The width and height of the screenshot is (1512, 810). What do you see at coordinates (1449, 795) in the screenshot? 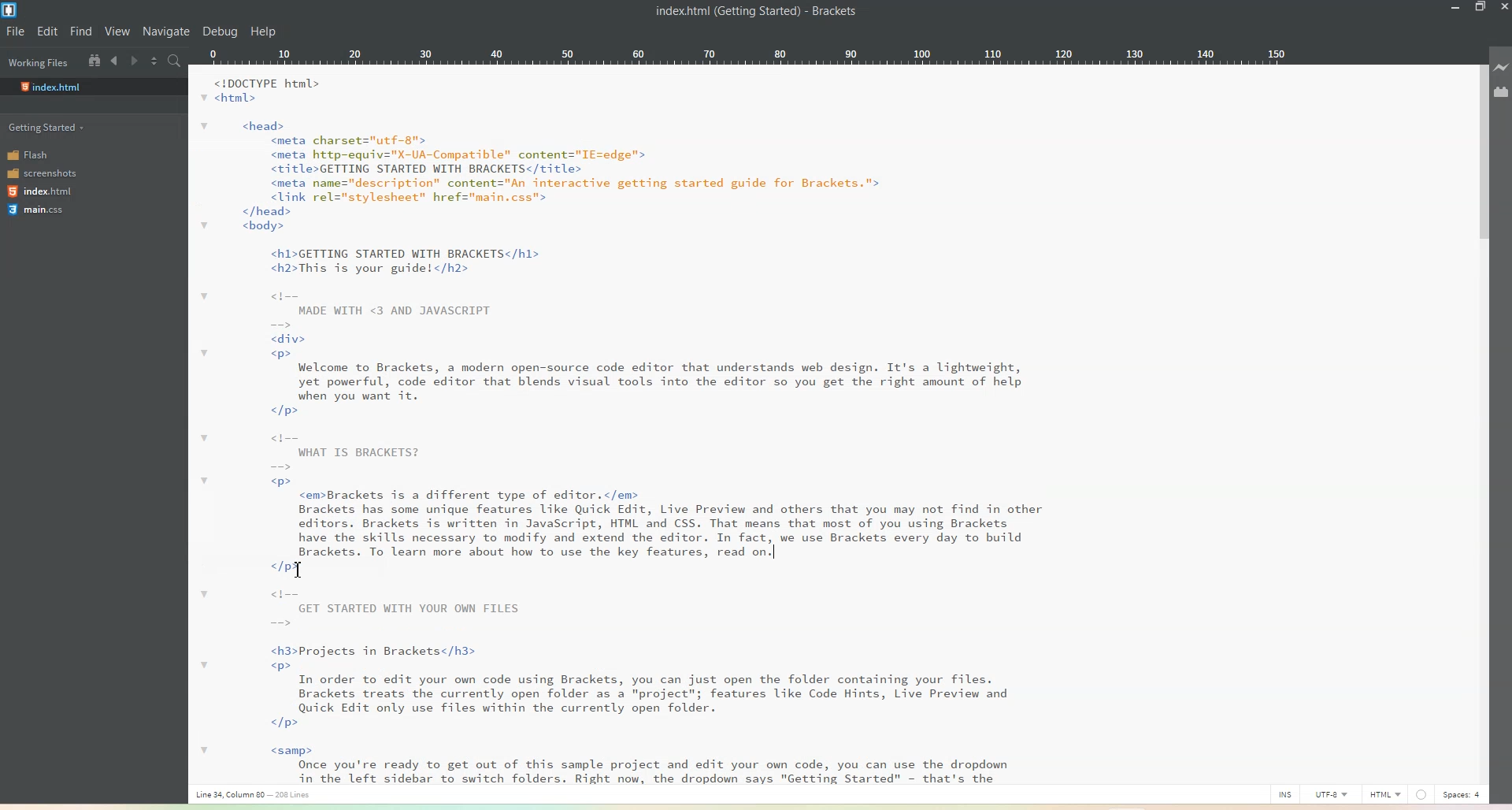
I see `SPACES: 4` at bounding box center [1449, 795].